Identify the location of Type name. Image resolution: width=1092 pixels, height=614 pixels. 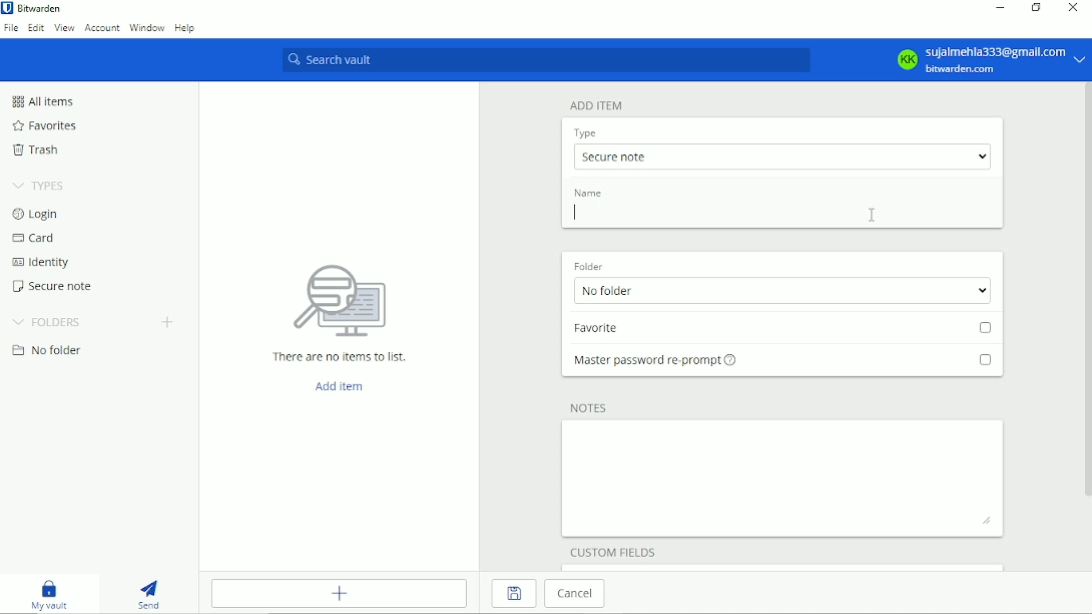
(783, 215).